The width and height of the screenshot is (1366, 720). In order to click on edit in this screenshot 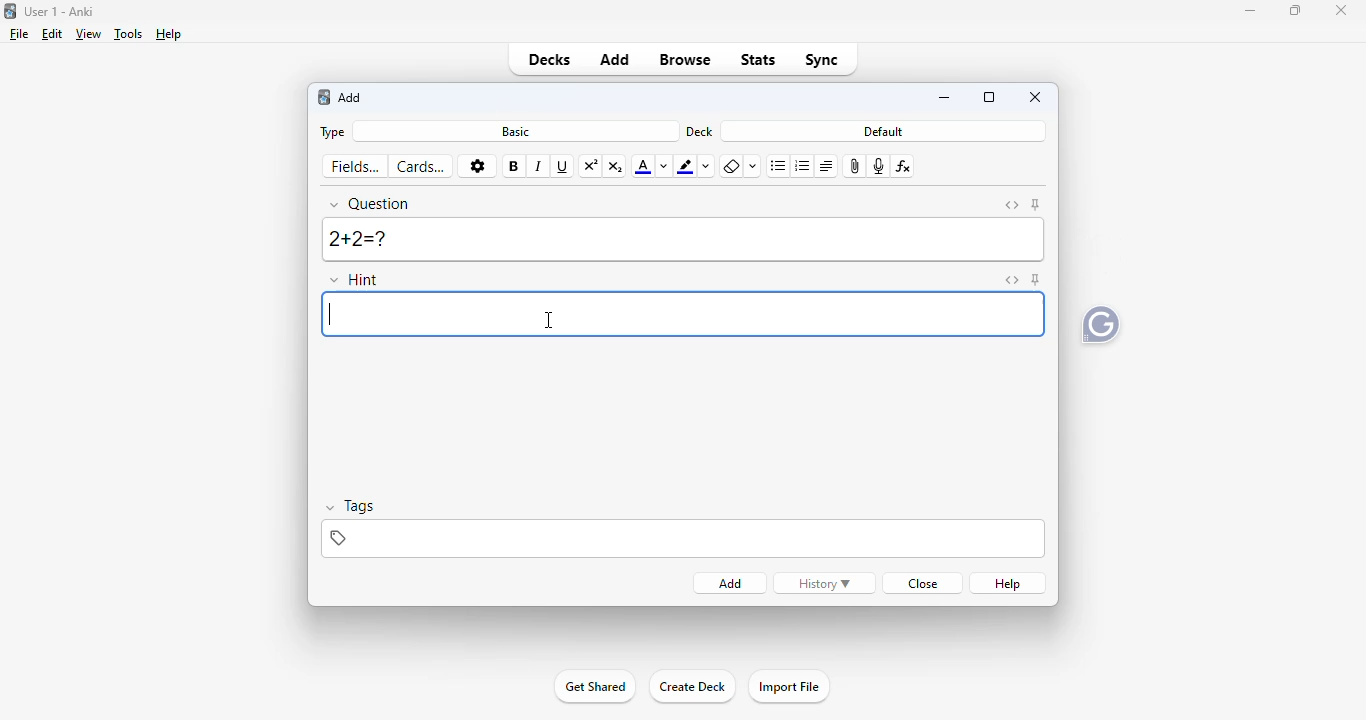, I will do `click(53, 34)`.